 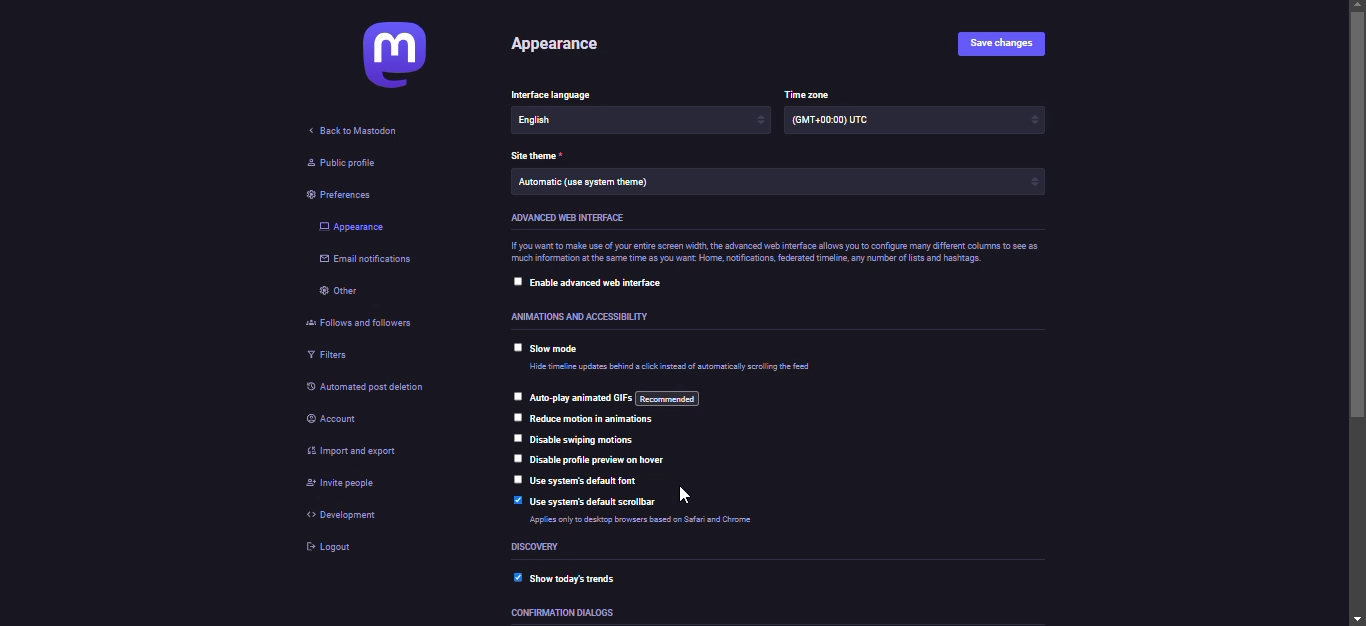 What do you see at coordinates (518, 500) in the screenshot?
I see `enabled` at bounding box center [518, 500].